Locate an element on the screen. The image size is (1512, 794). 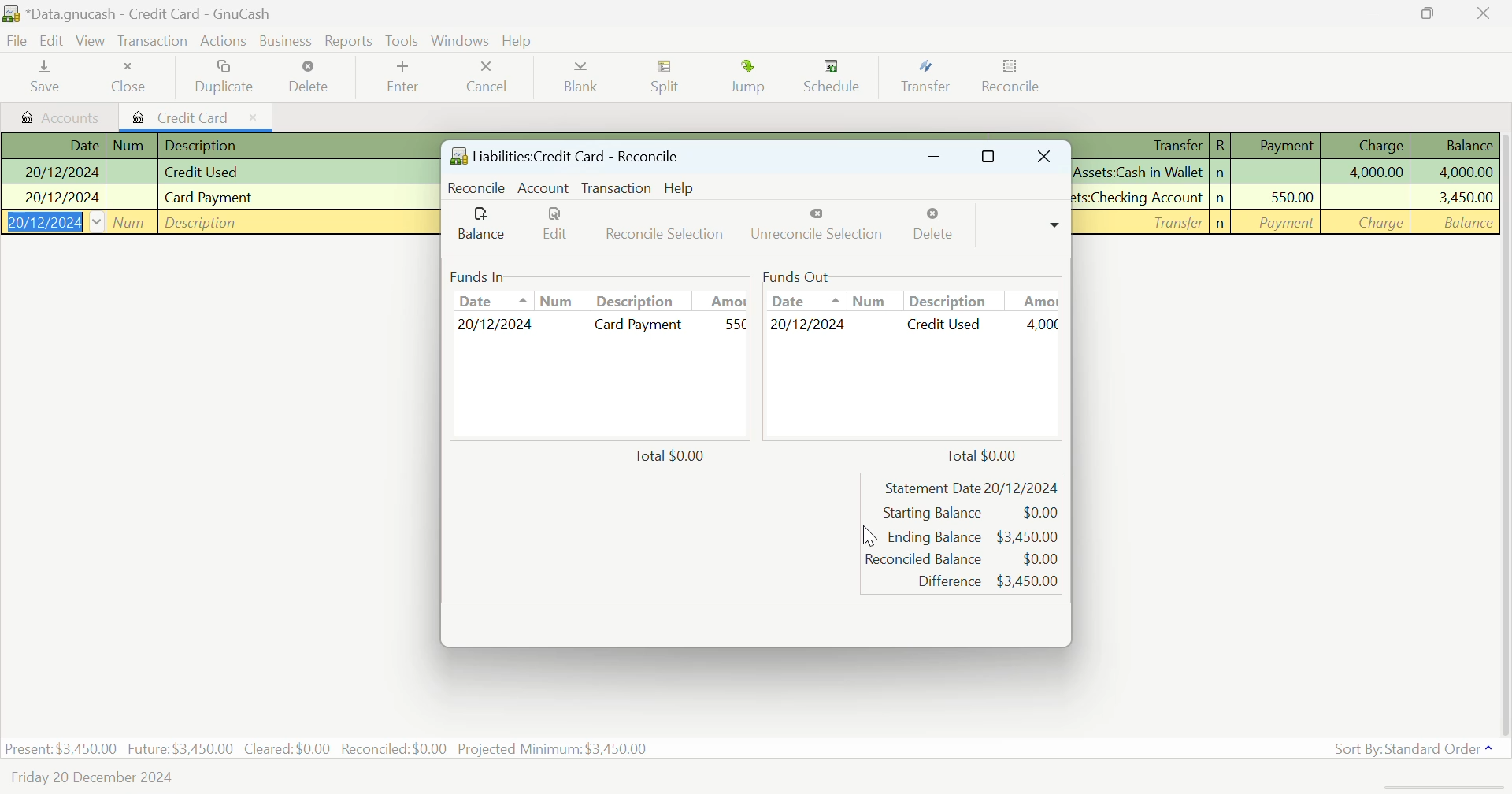
File is located at coordinates (16, 39).